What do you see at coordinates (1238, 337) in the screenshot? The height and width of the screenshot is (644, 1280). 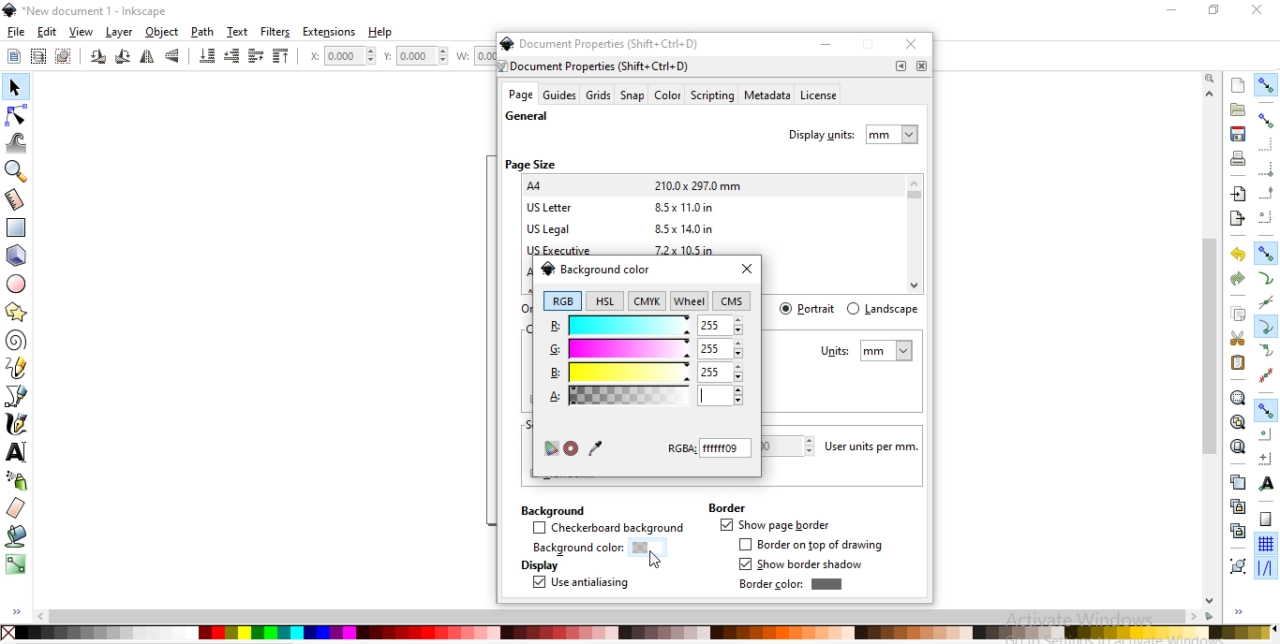 I see `cut` at bounding box center [1238, 337].